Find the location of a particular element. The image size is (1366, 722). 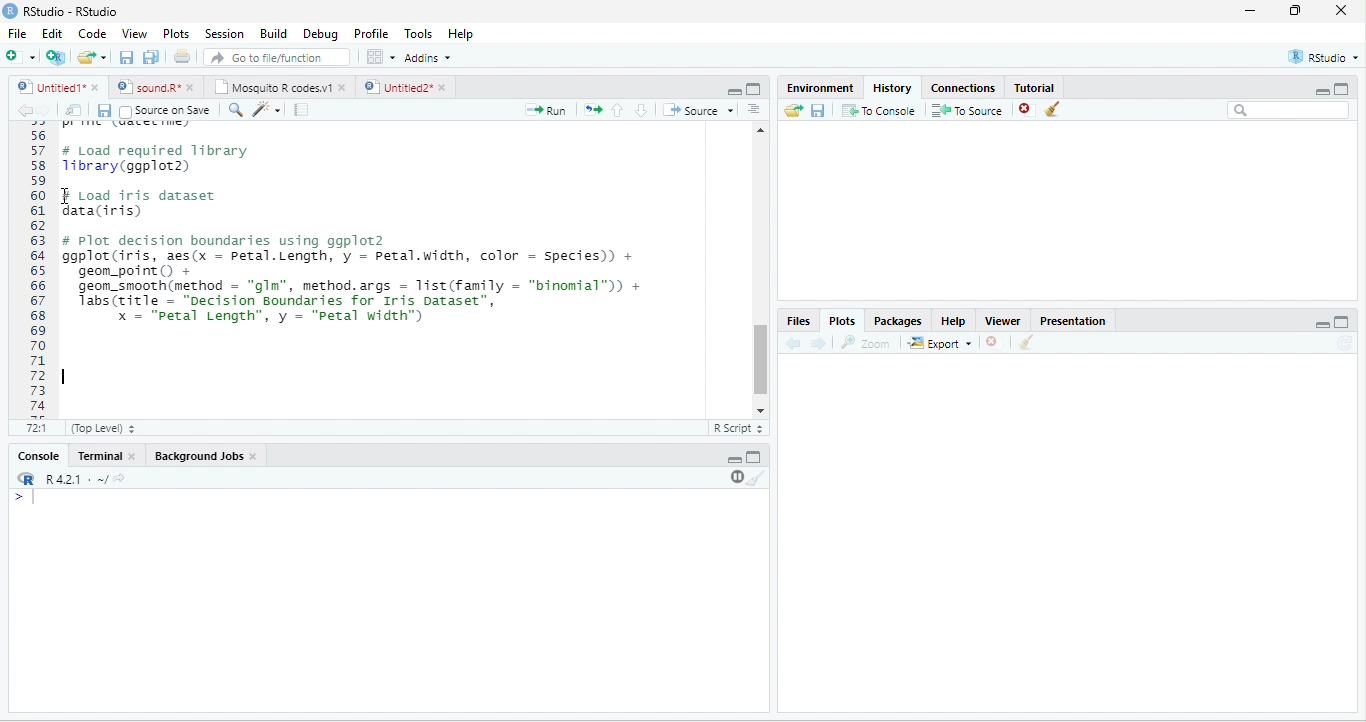

search is located at coordinates (234, 110).